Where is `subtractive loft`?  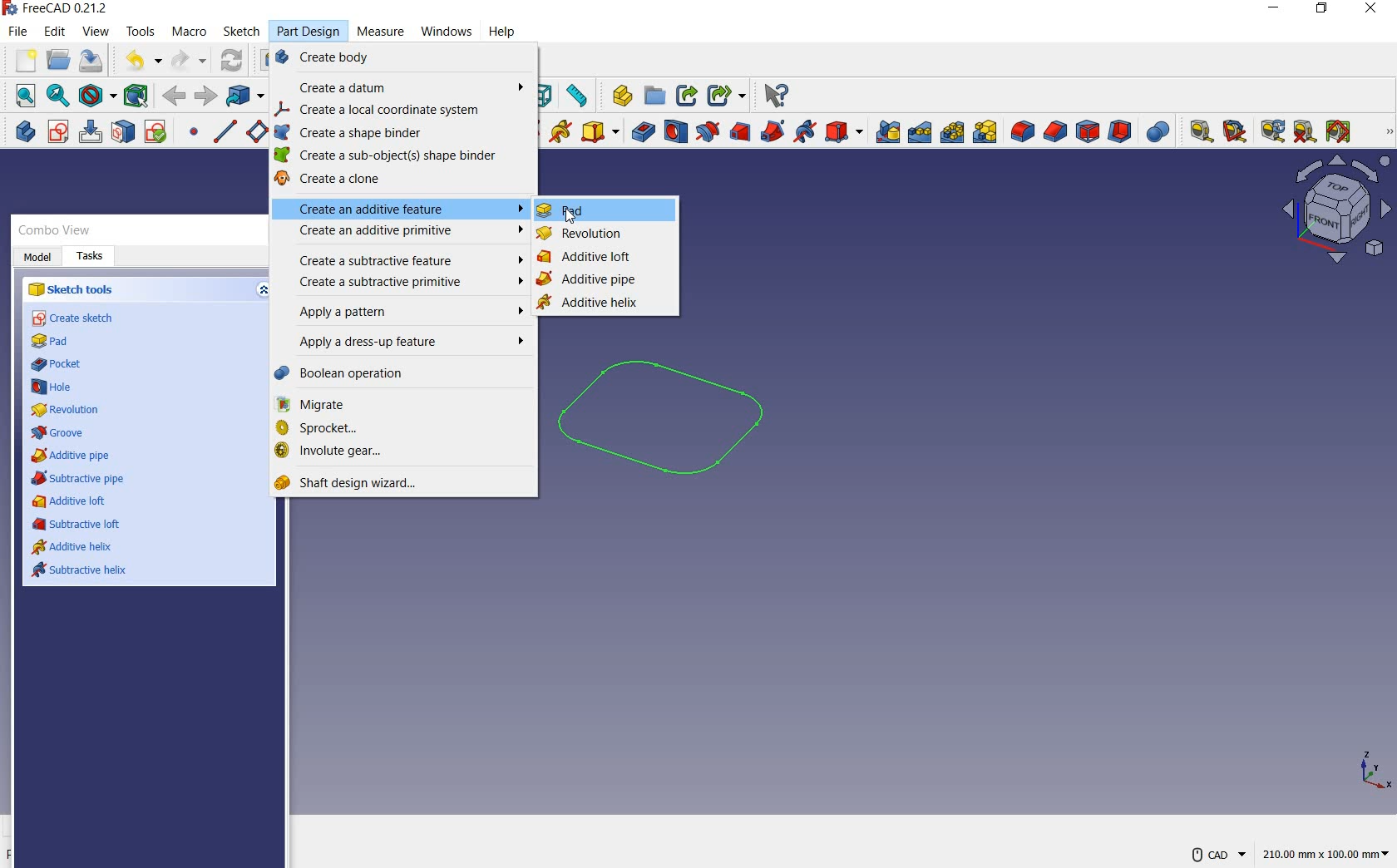 subtractive loft is located at coordinates (77, 524).